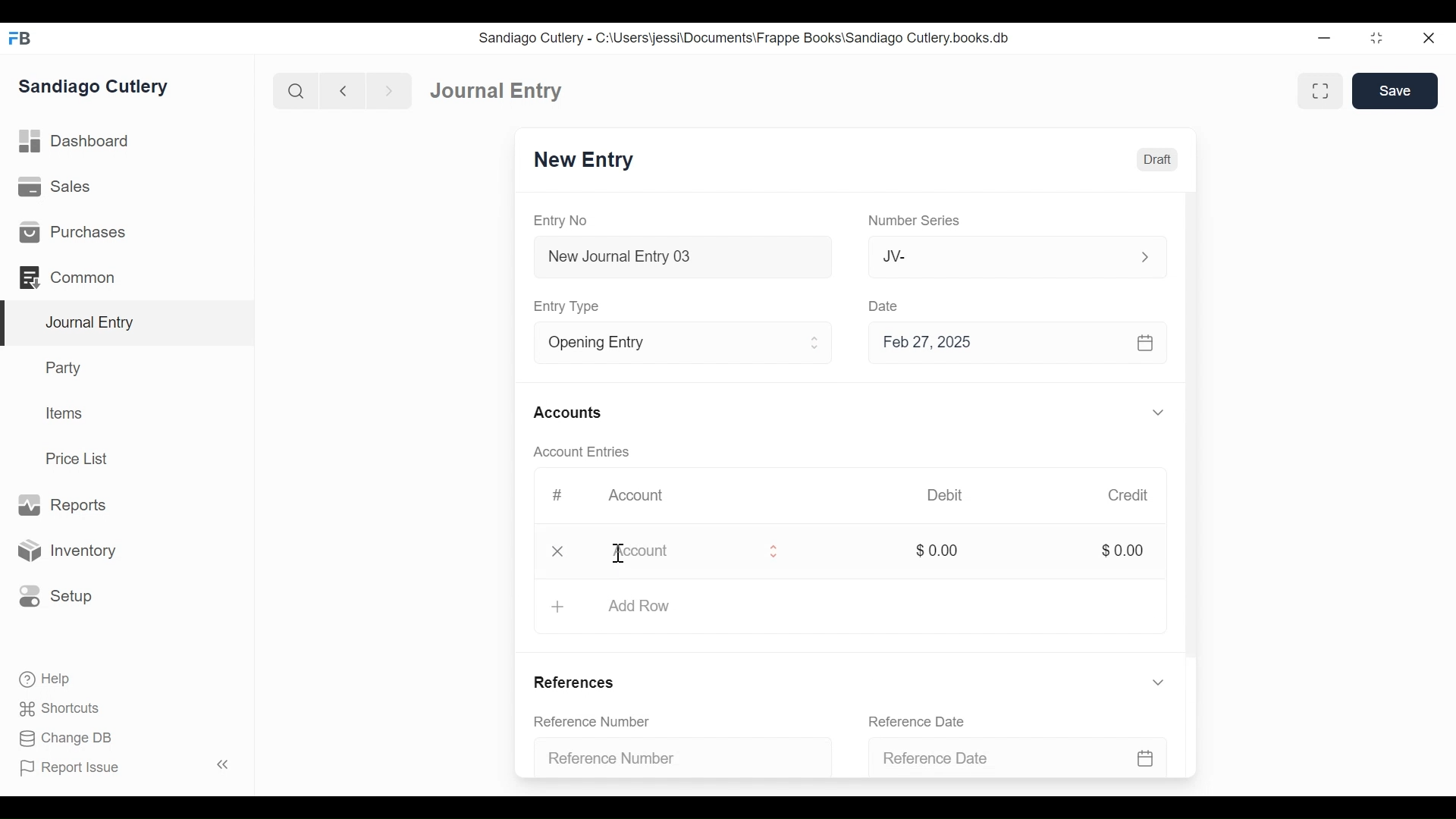  Describe the element at coordinates (990, 256) in the screenshot. I see `JV-` at that location.